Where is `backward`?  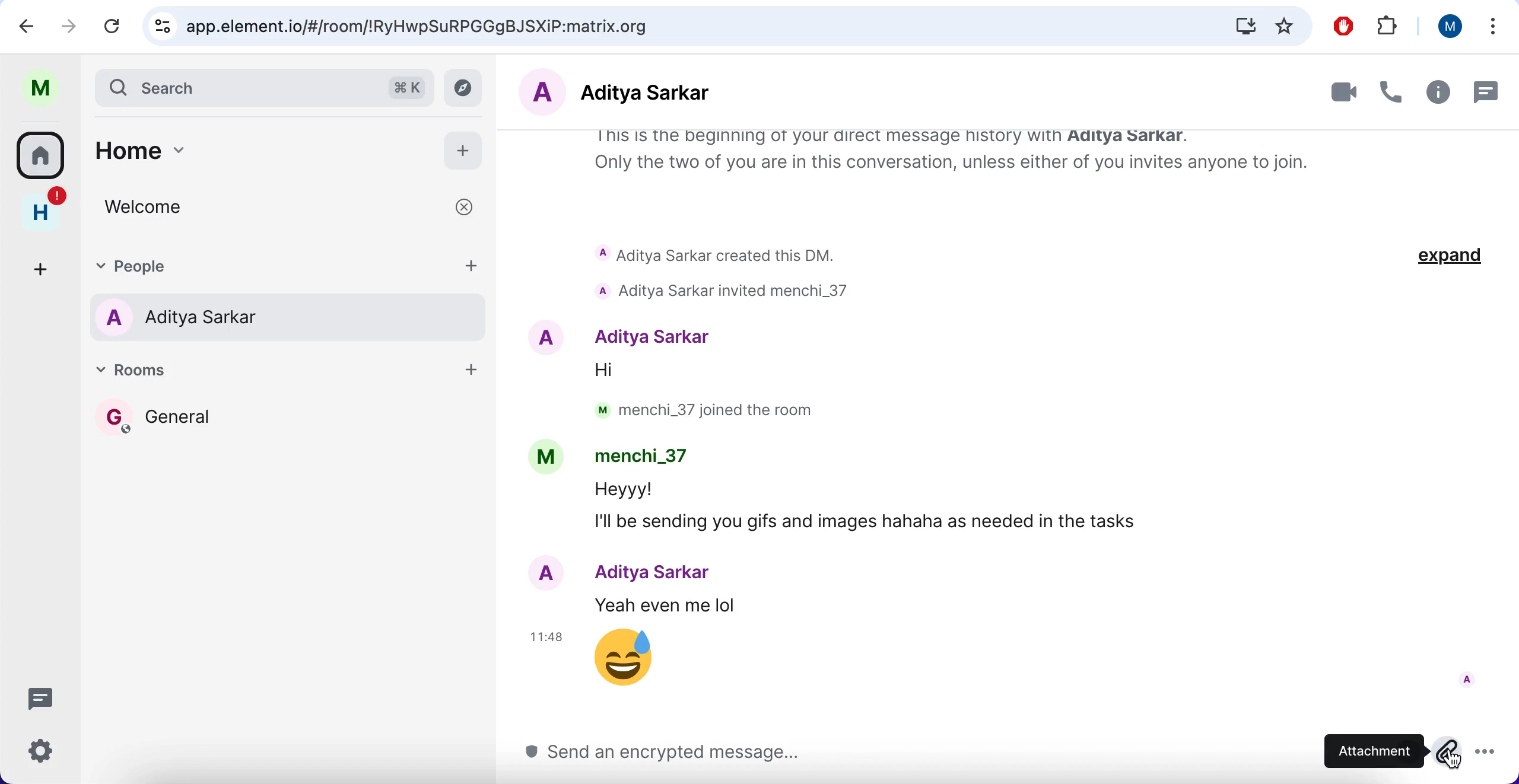 backward is located at coordinates (25, 28).